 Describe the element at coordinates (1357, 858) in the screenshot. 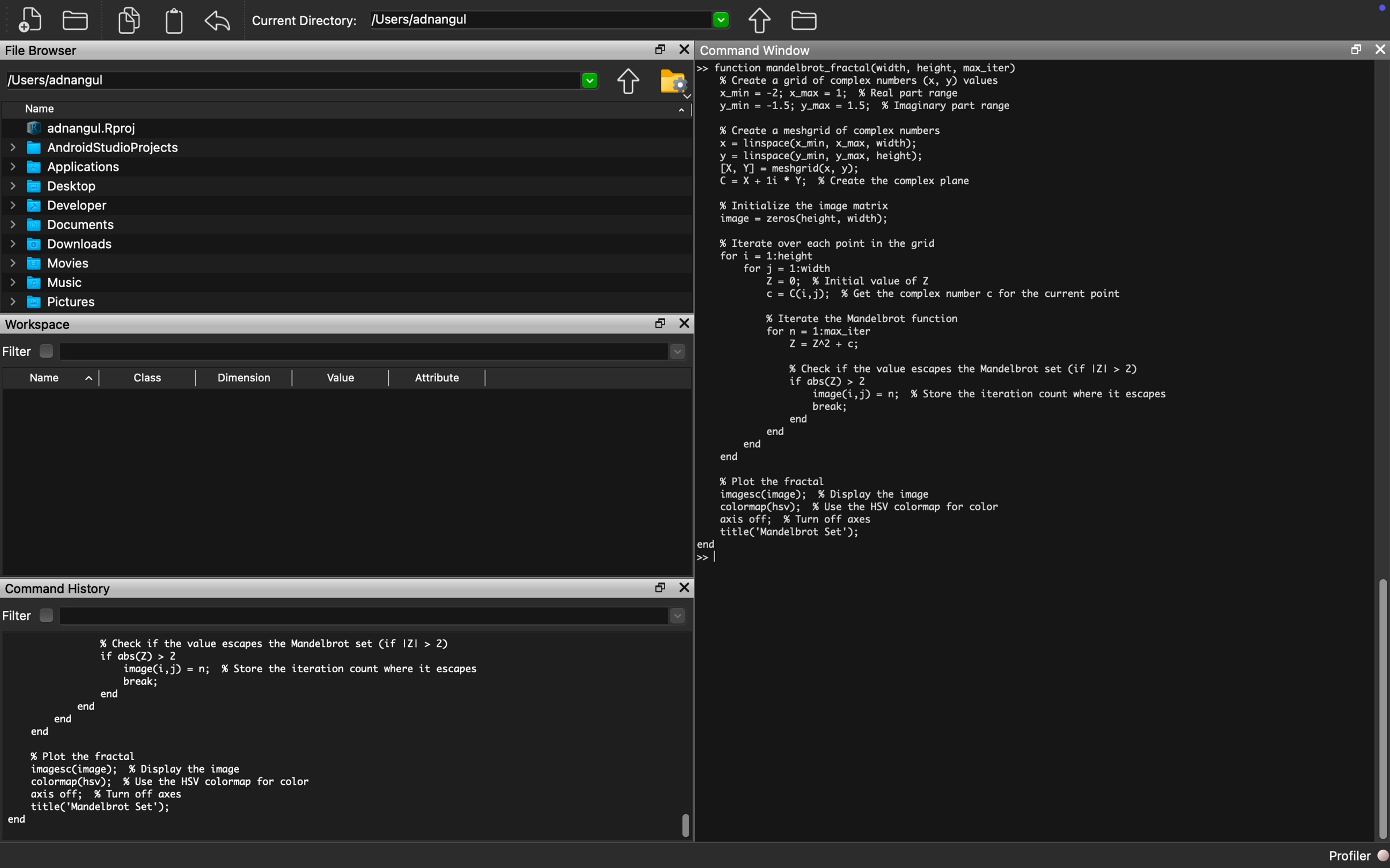

I see `Profiler` at that location.